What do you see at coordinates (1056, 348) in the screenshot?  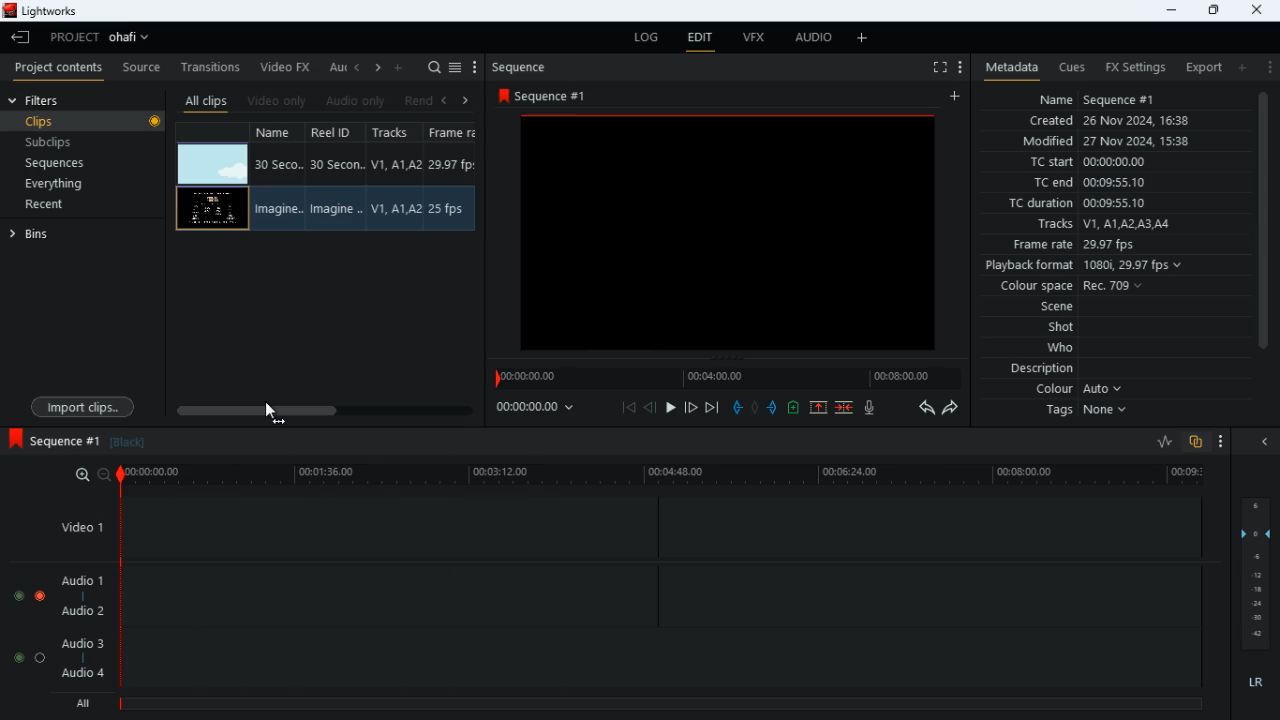 I see `who` at bounding box center [1056, 348].